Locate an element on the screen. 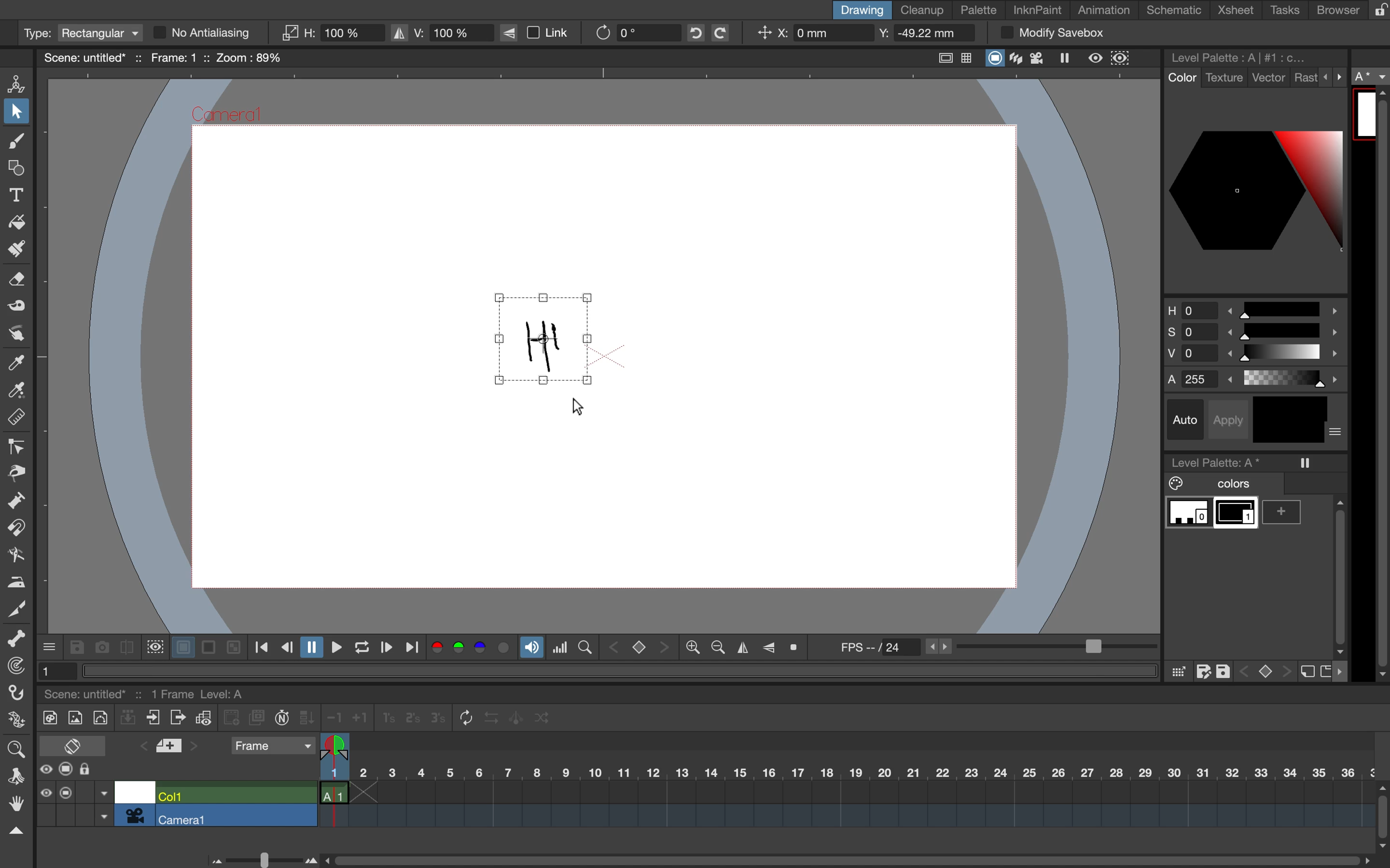  finger tool is located at coordinates (16, 334).